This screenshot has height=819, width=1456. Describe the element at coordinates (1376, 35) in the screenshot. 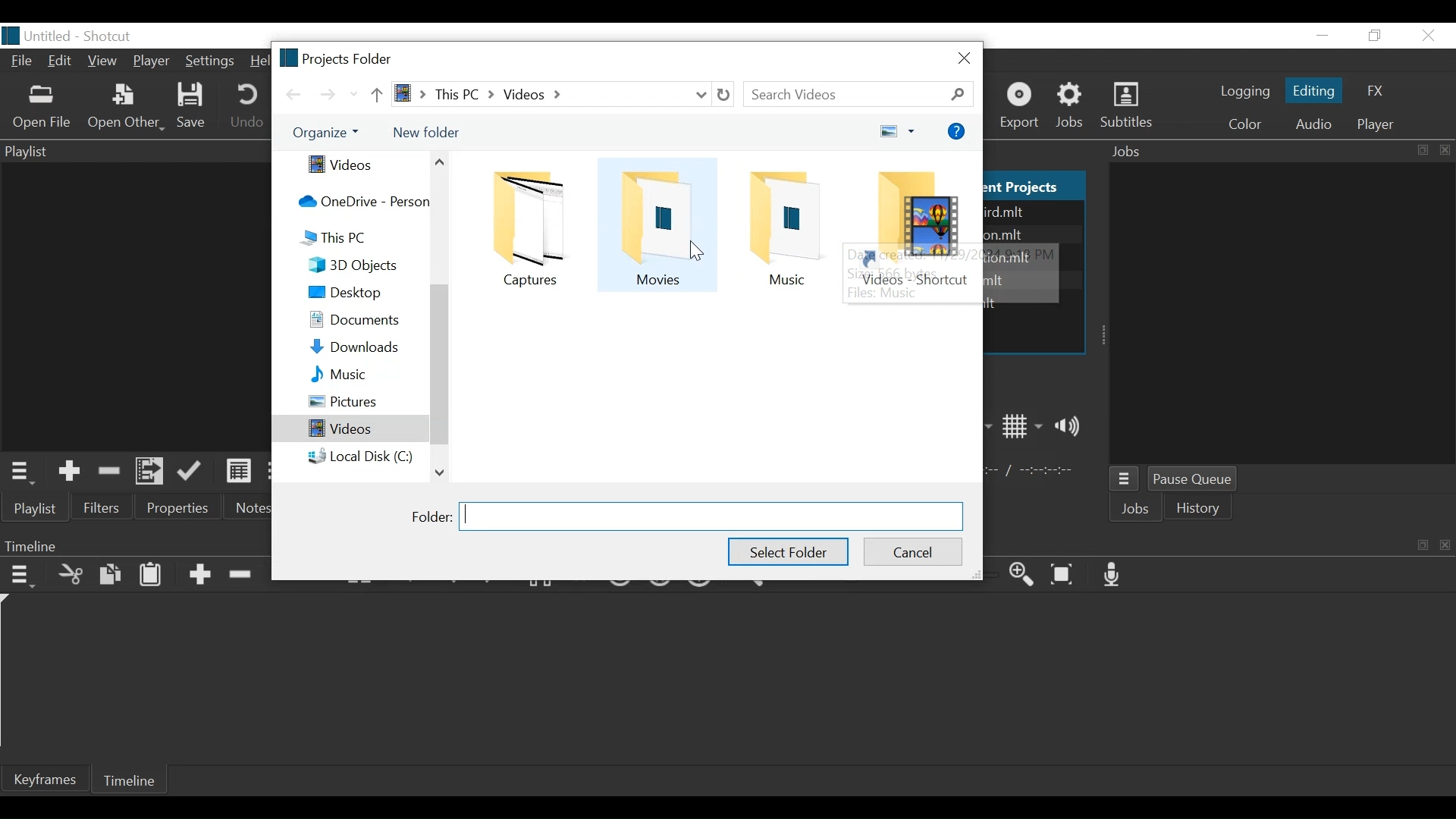

I see `Restore` at that location.